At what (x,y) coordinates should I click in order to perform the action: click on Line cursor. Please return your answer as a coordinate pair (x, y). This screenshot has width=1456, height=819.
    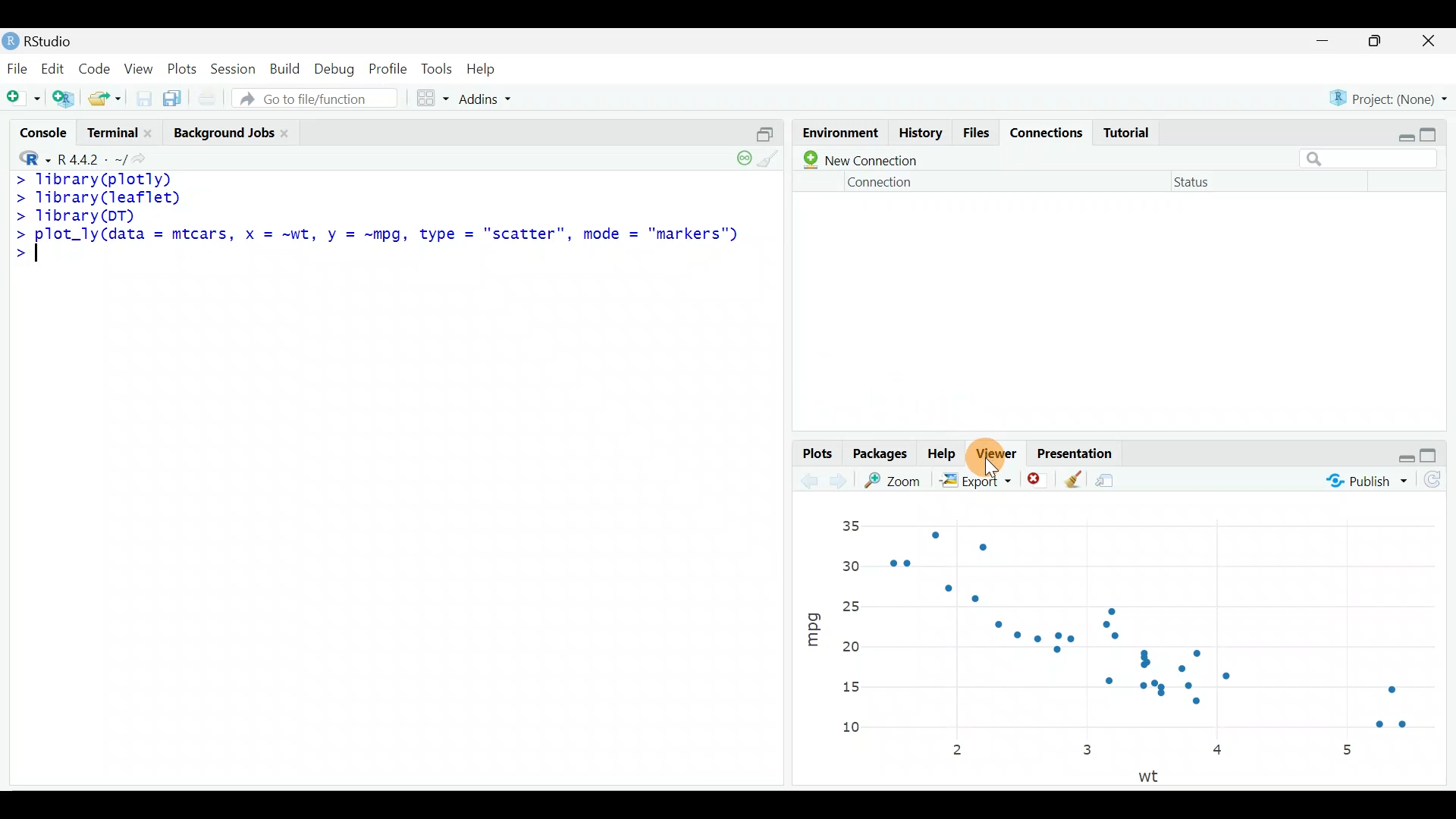
    Looking at the image, I should click on (41, 260).